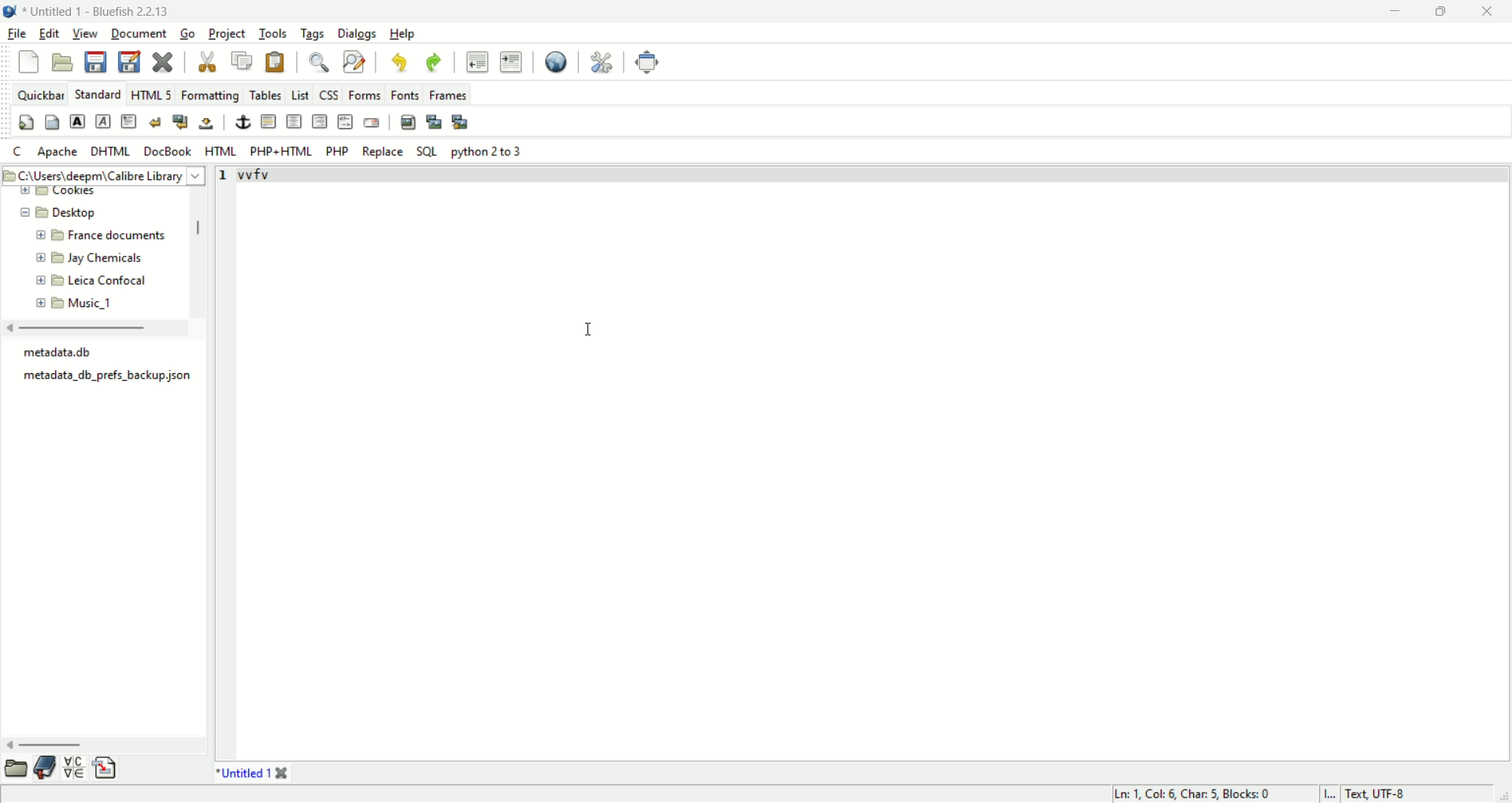 This screenshot has width=1512, height=803. I want to click on advanced find and replace, so click(354, 61).